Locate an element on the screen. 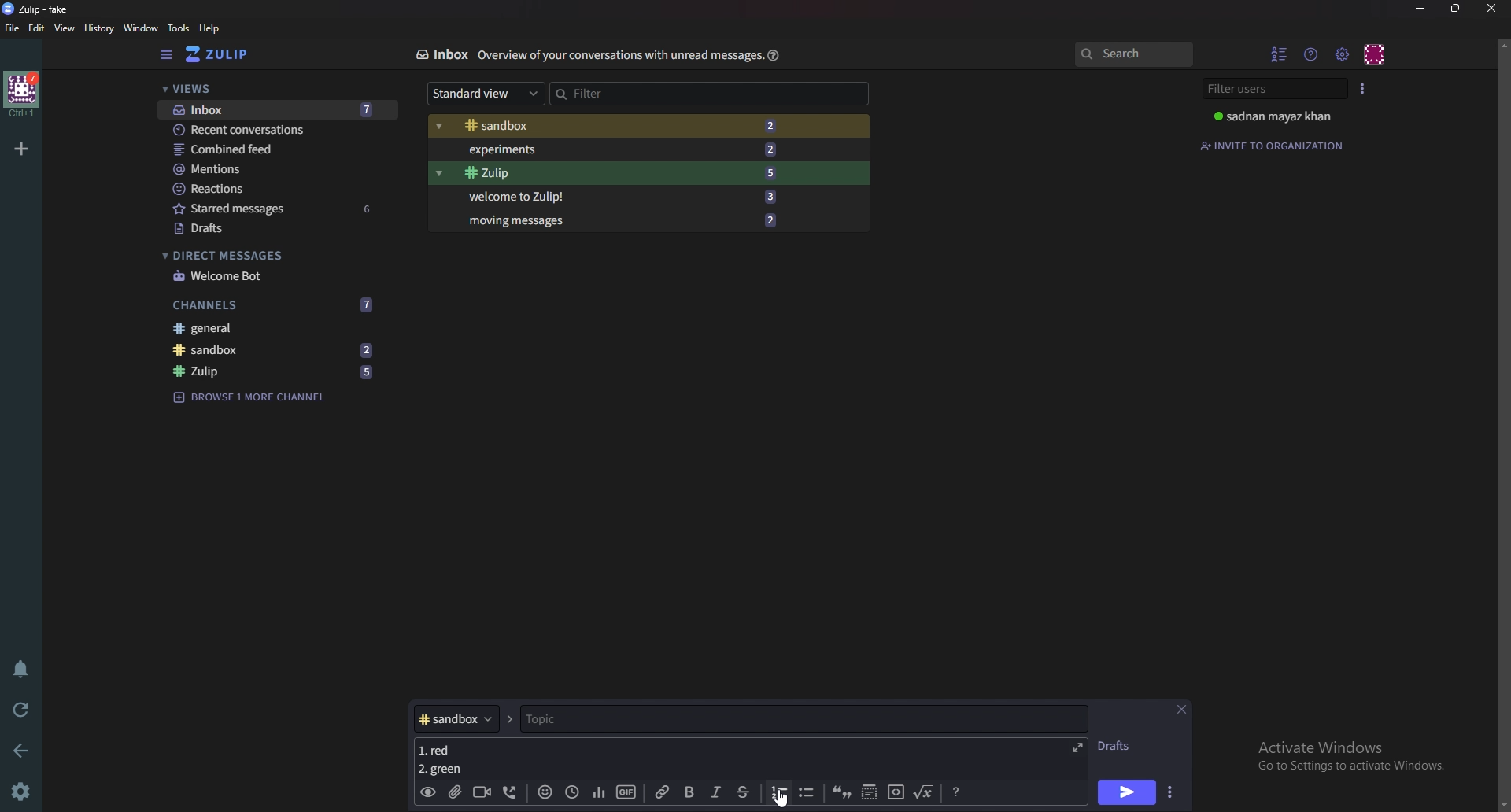 Image resolution: width=1511 pixels, height=812 pixels. Tools is located at coordinates (178, 28).